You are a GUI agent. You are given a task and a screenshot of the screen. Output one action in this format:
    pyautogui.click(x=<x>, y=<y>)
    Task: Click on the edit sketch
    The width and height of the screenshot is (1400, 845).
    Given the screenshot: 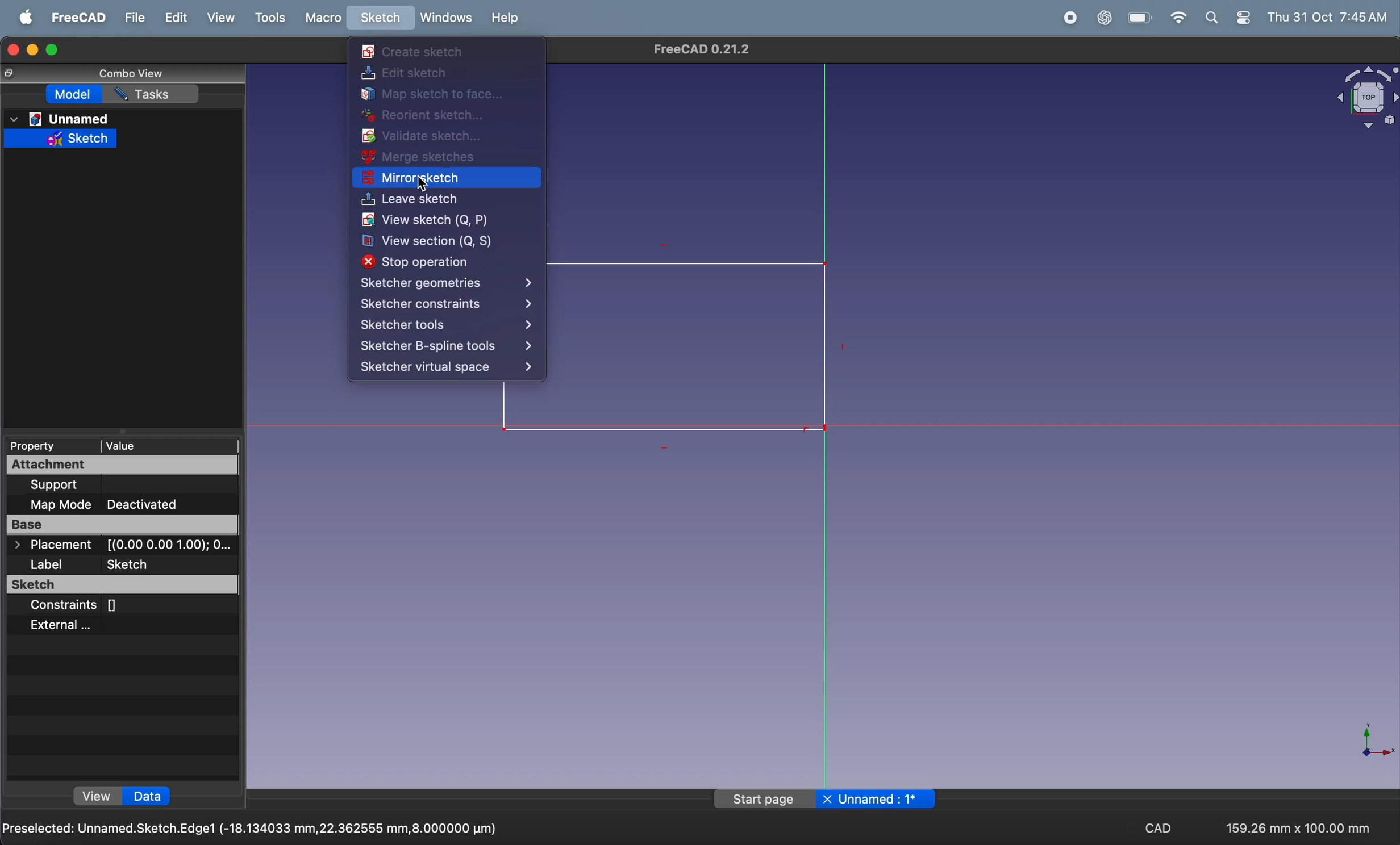 What is the action you would take?
    pyautogui.click(x=419, y=73)
    